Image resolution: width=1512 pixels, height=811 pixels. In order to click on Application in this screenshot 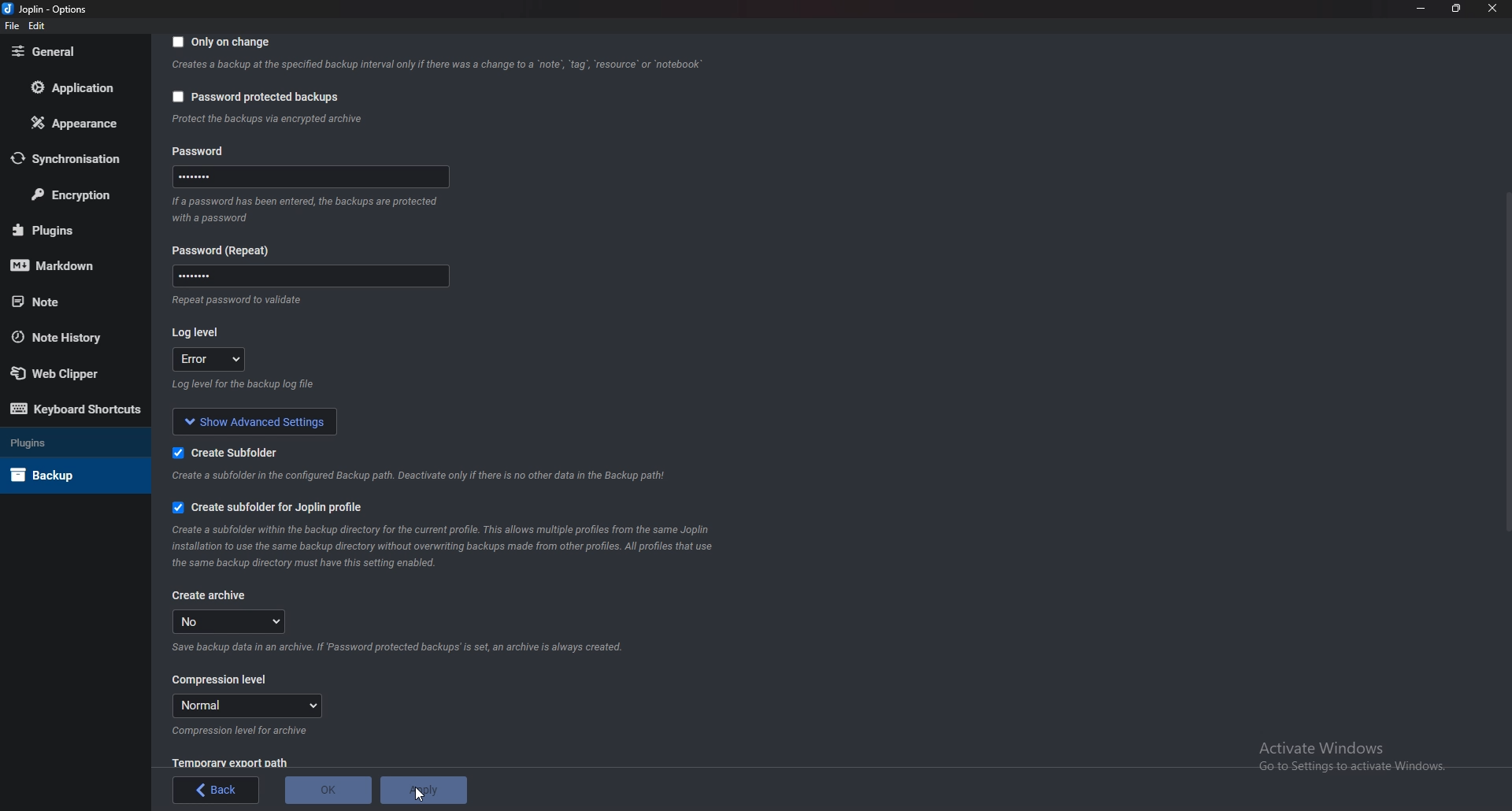, I will do `click(69, 87)`.